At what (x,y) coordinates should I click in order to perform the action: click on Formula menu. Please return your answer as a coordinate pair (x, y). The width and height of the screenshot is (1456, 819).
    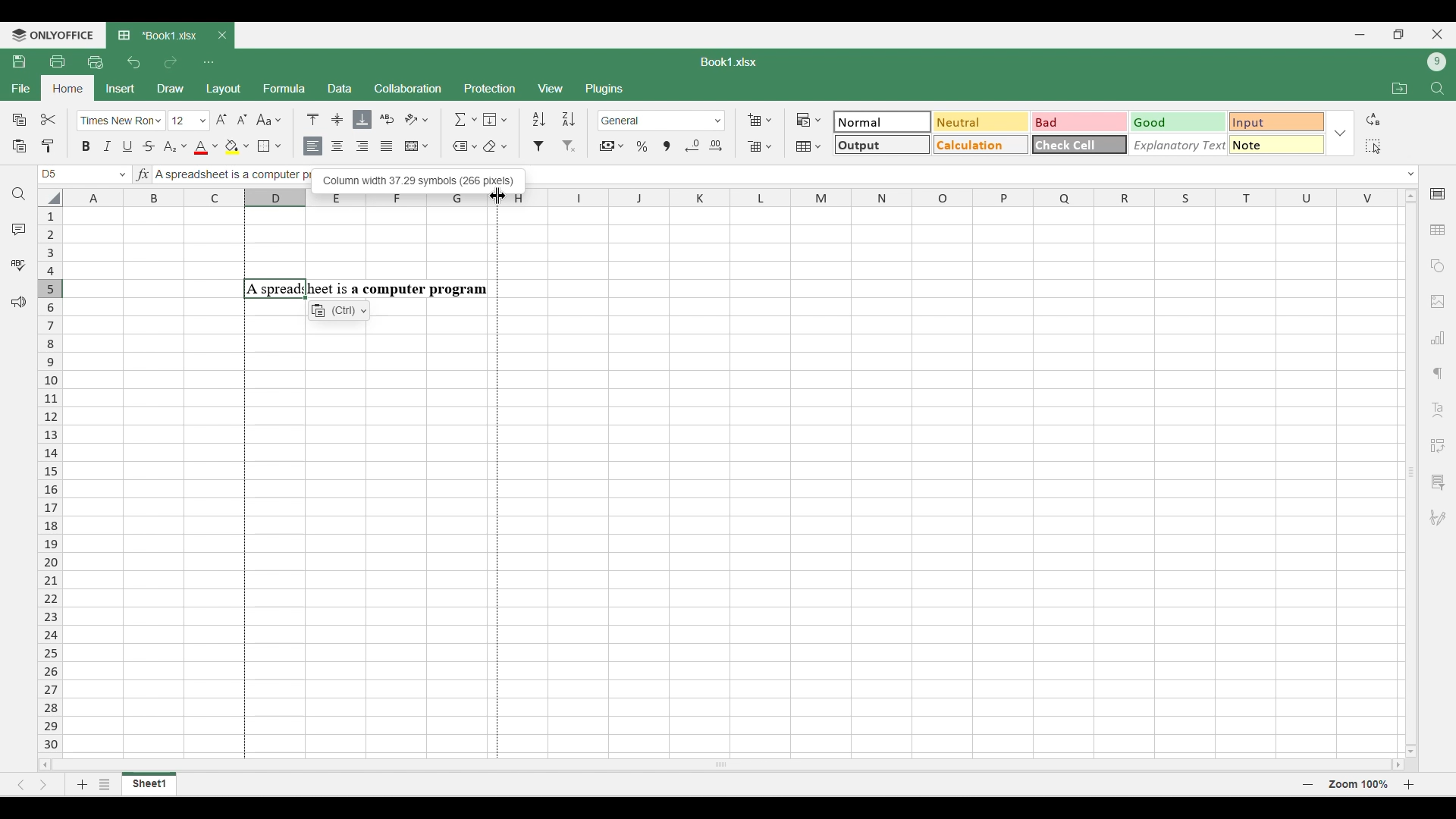
    Looking at the image, I should click on (284, 88).